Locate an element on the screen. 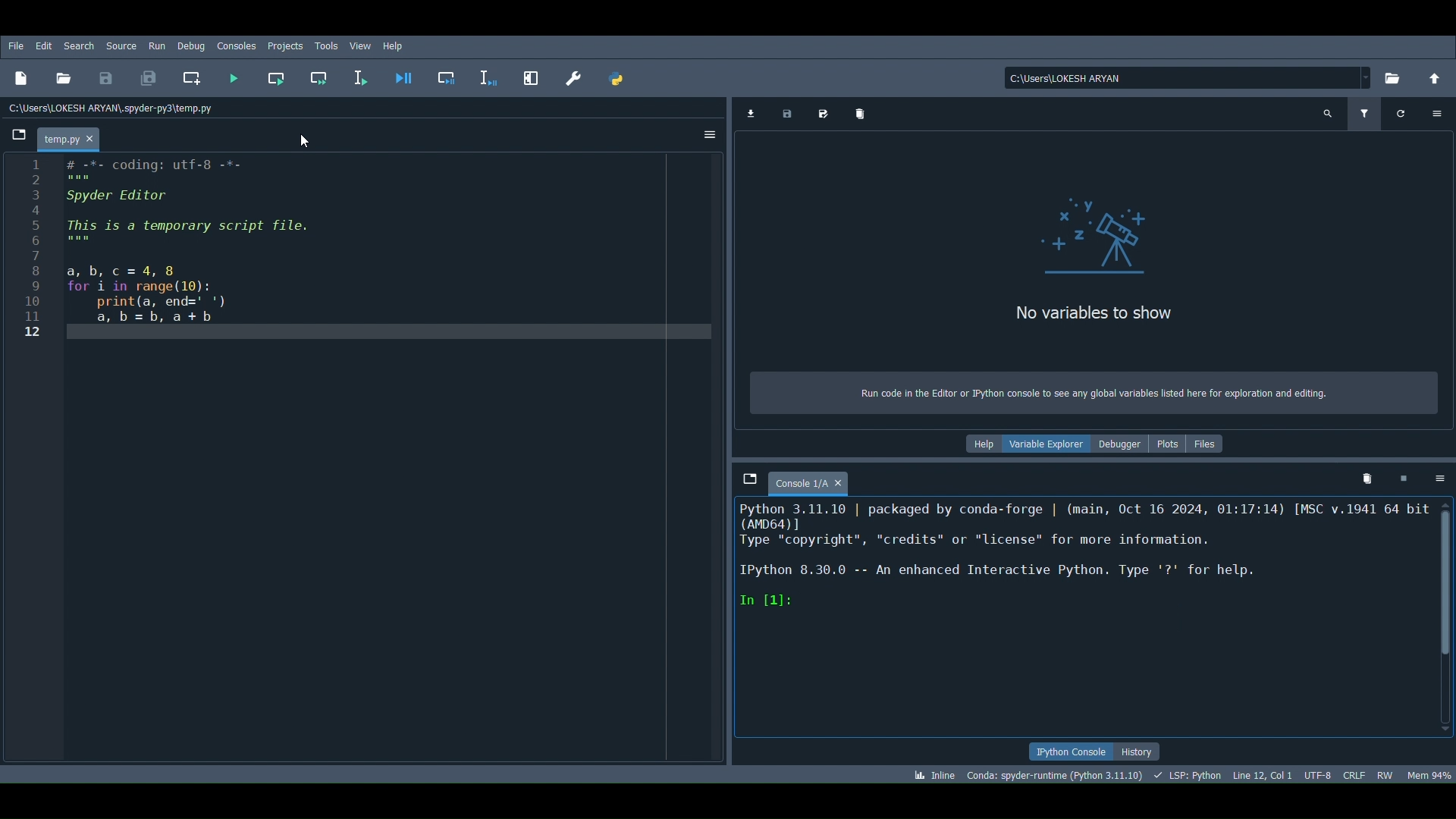   is located at coordinates (1056, 774).